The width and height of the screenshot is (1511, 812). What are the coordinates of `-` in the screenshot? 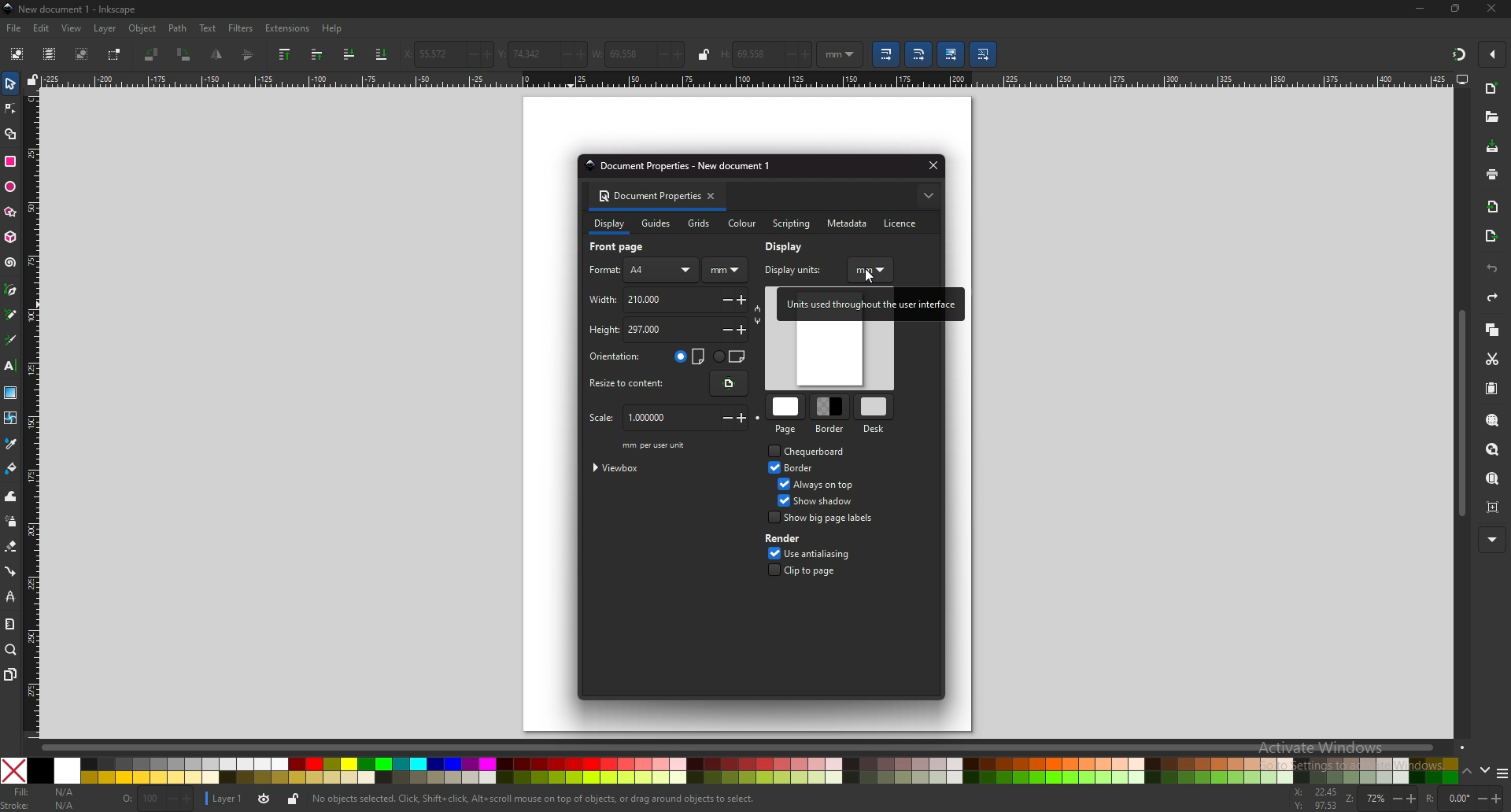 It's located at (722, 330).